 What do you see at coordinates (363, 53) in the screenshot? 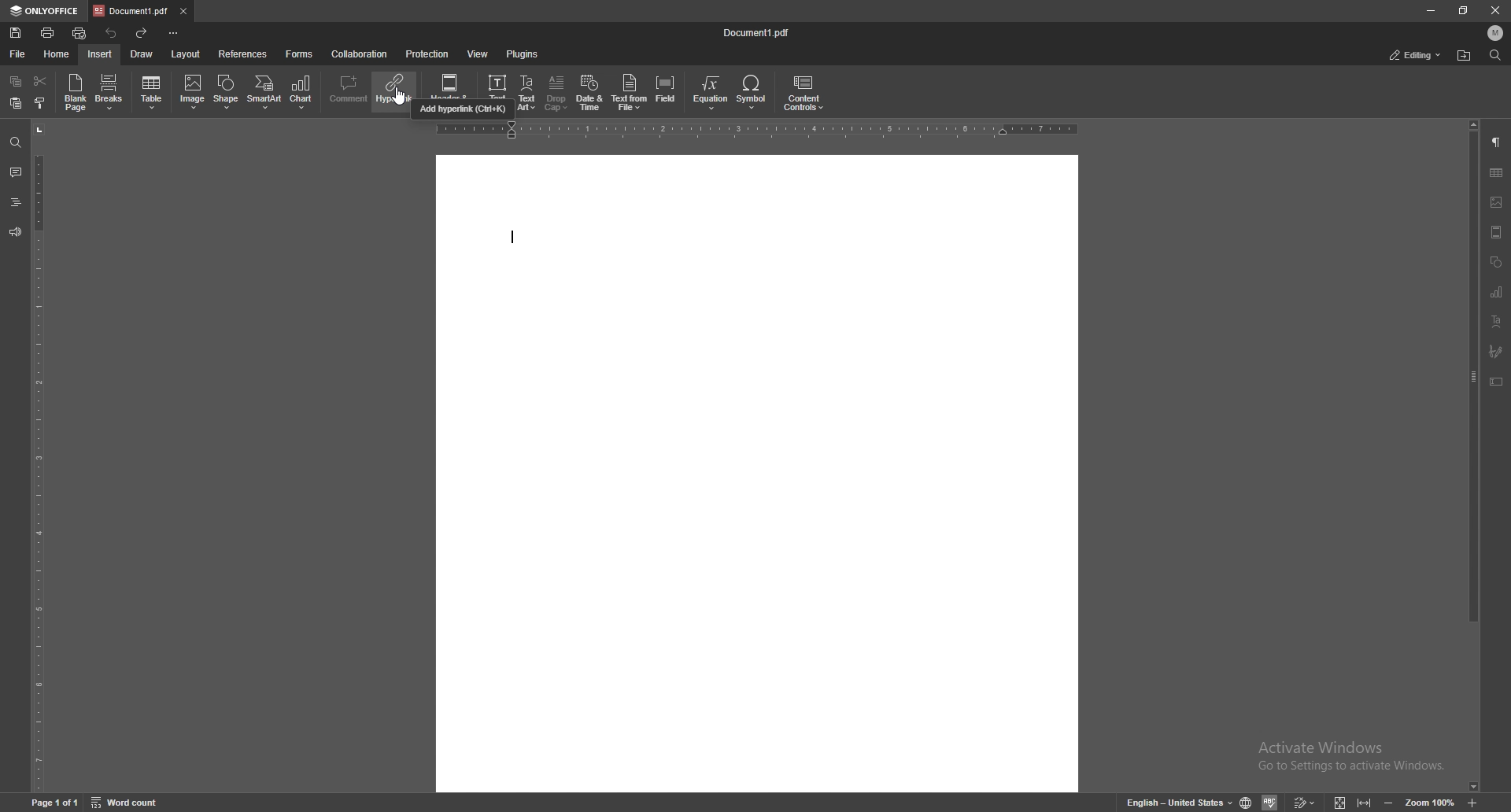
I see `collaboration` at bounding box center [363, 53].